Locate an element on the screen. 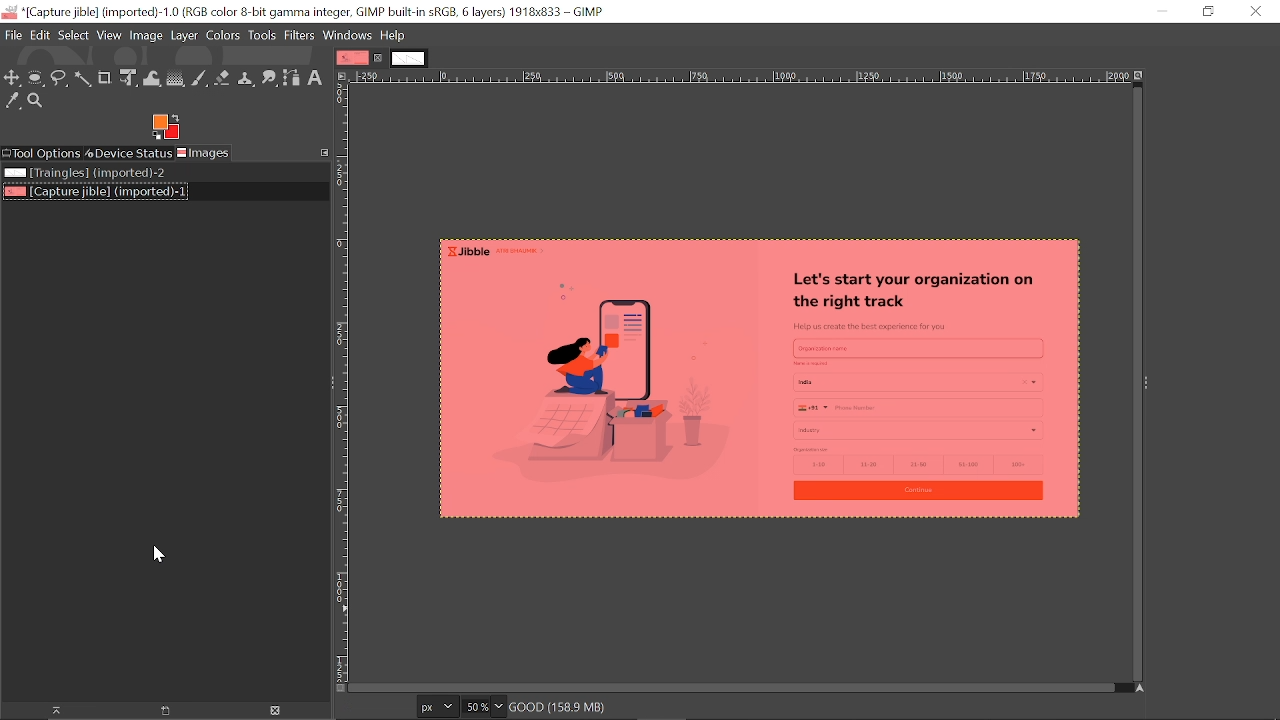 This screenshot has height=720, width=1280. Window is located at coordinates (349, 35).